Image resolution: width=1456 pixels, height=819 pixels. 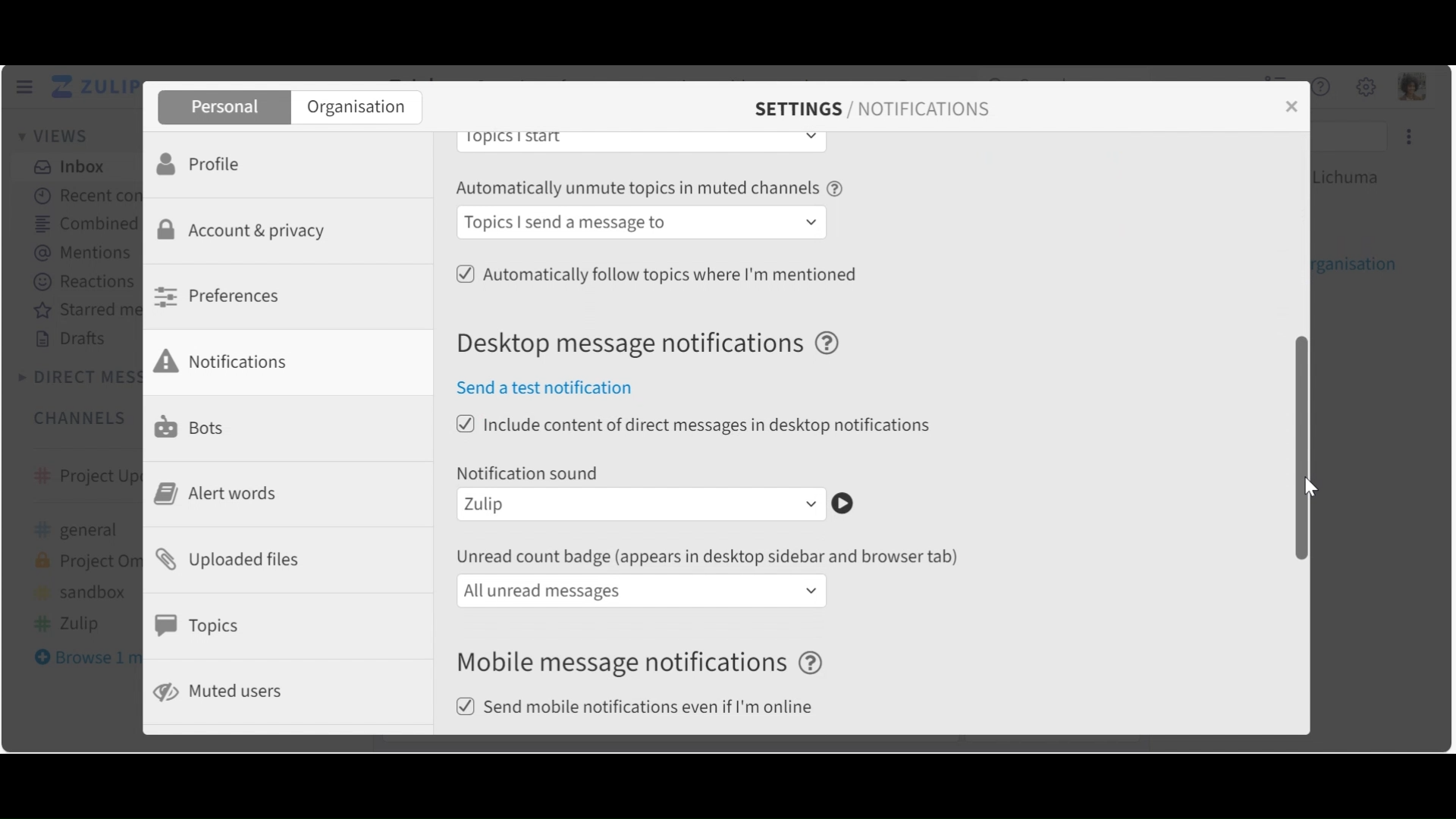 What do you see at coordinates (221, 494) in the screenshot?
I see `Alert Words` at bounding box center [221, 494].